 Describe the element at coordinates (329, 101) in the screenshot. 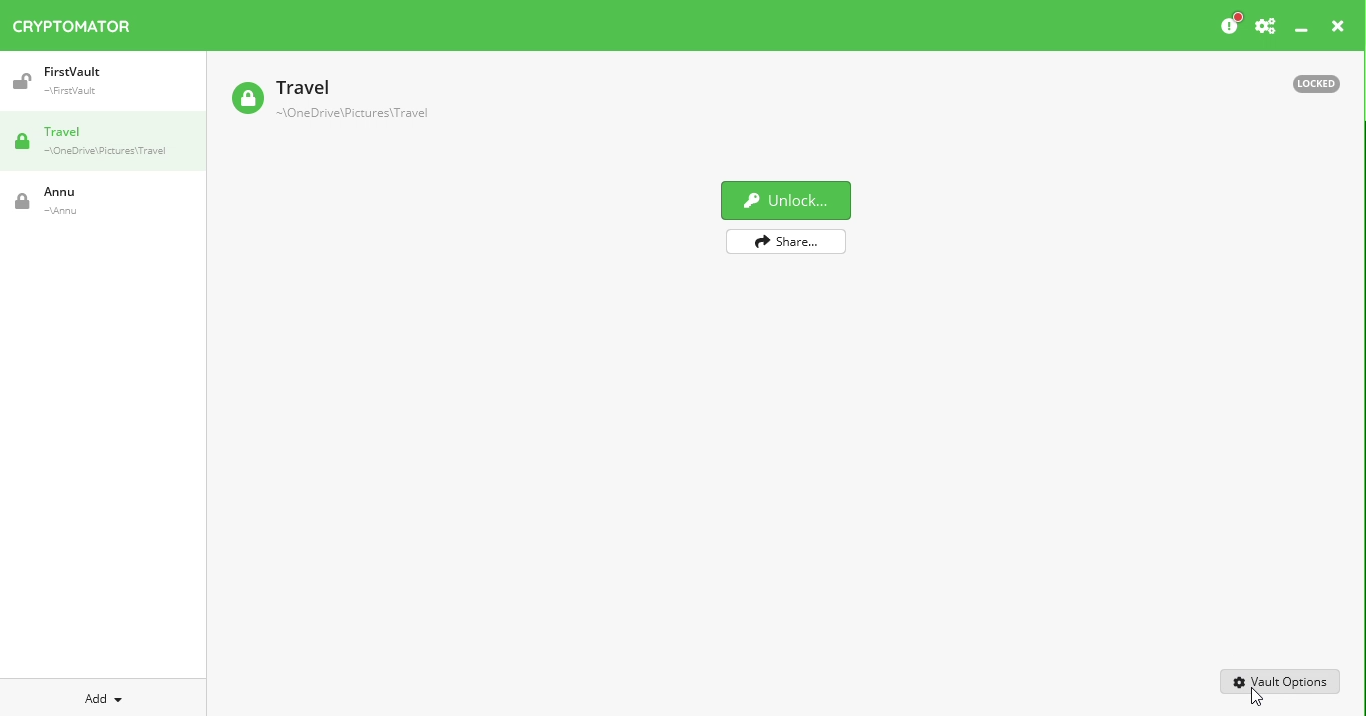

I see `Vault` at that location.